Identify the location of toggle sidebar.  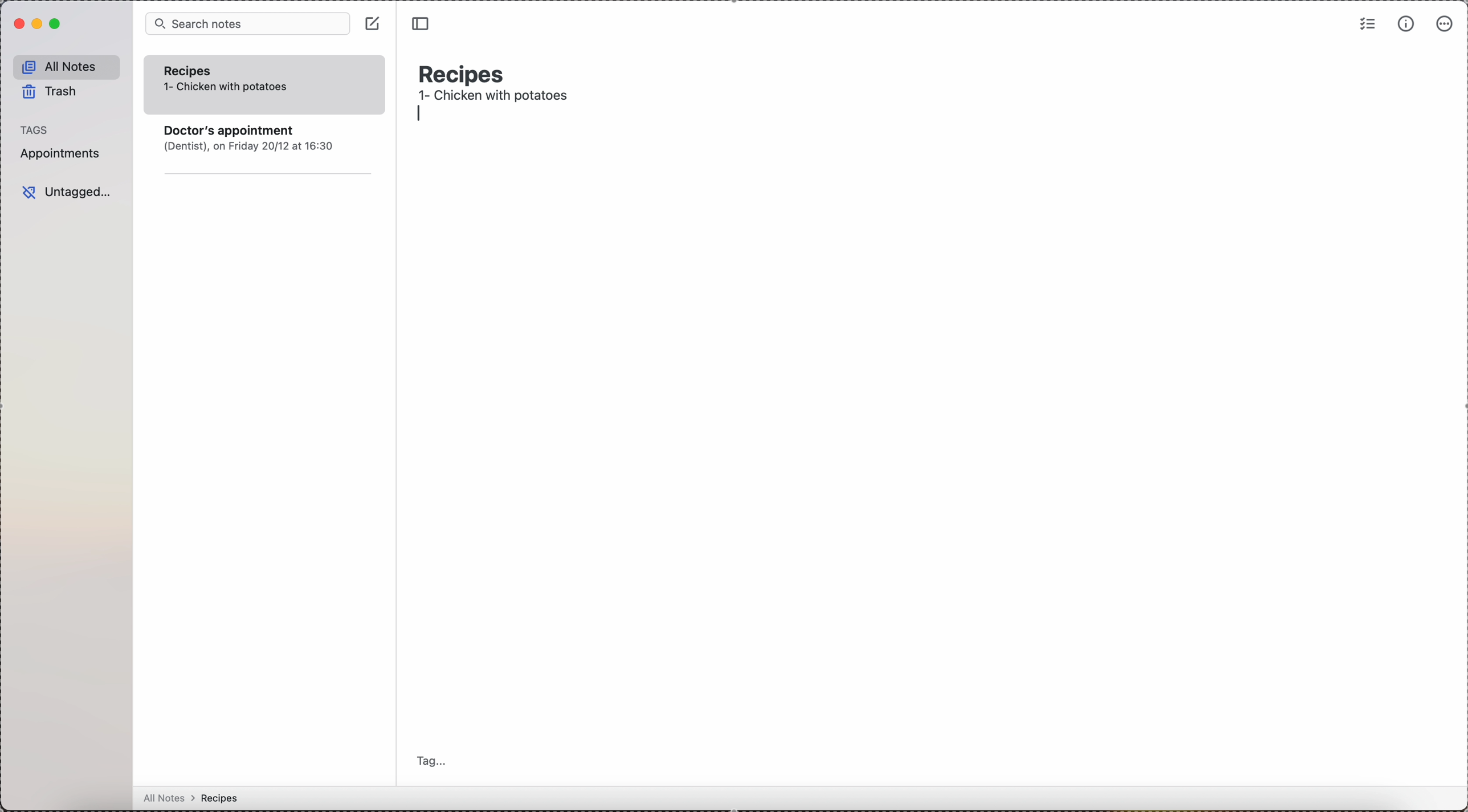
(419, 22).